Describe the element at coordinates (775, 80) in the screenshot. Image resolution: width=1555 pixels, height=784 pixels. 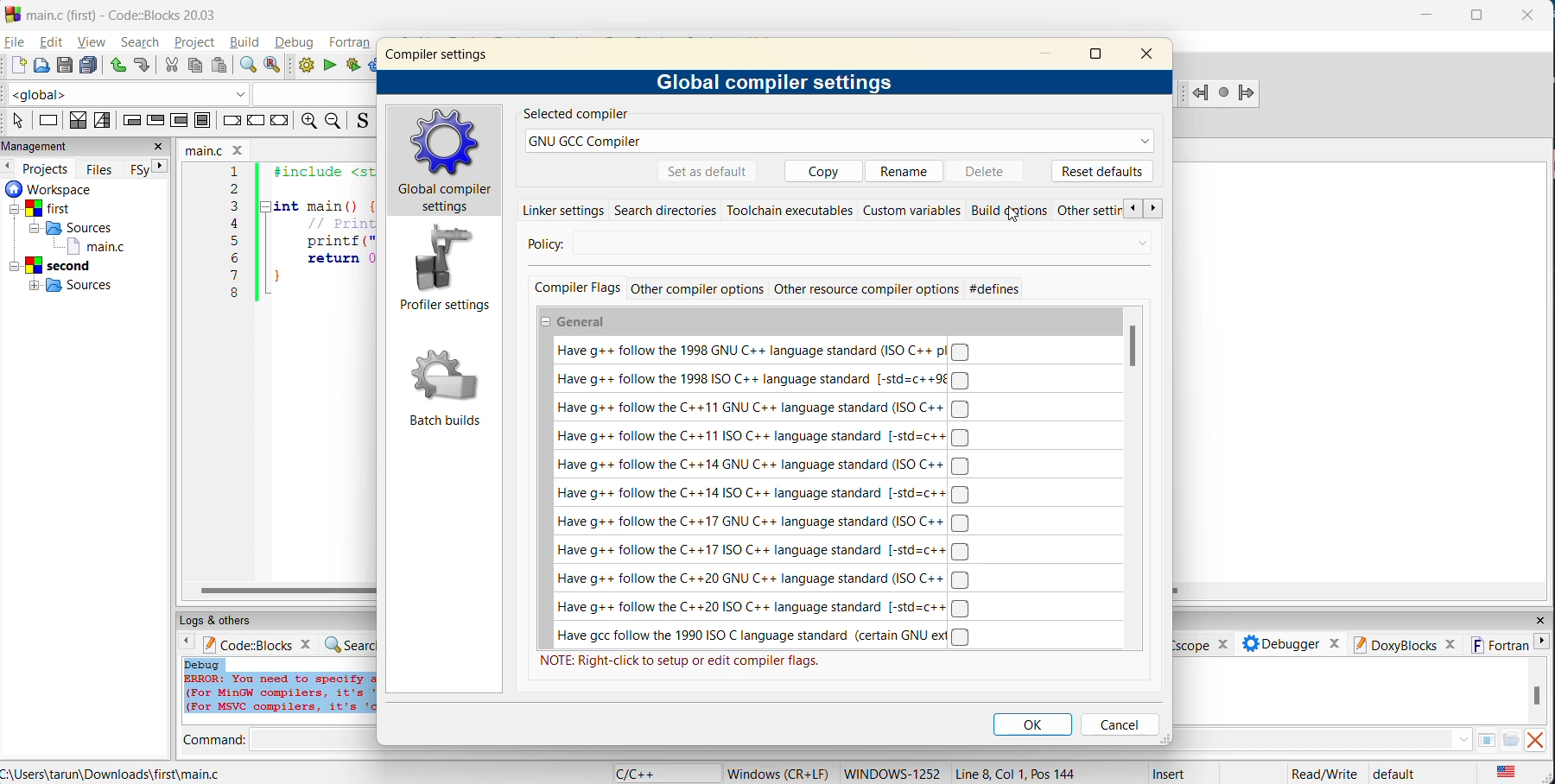
I see `global compiler settings` at that location.